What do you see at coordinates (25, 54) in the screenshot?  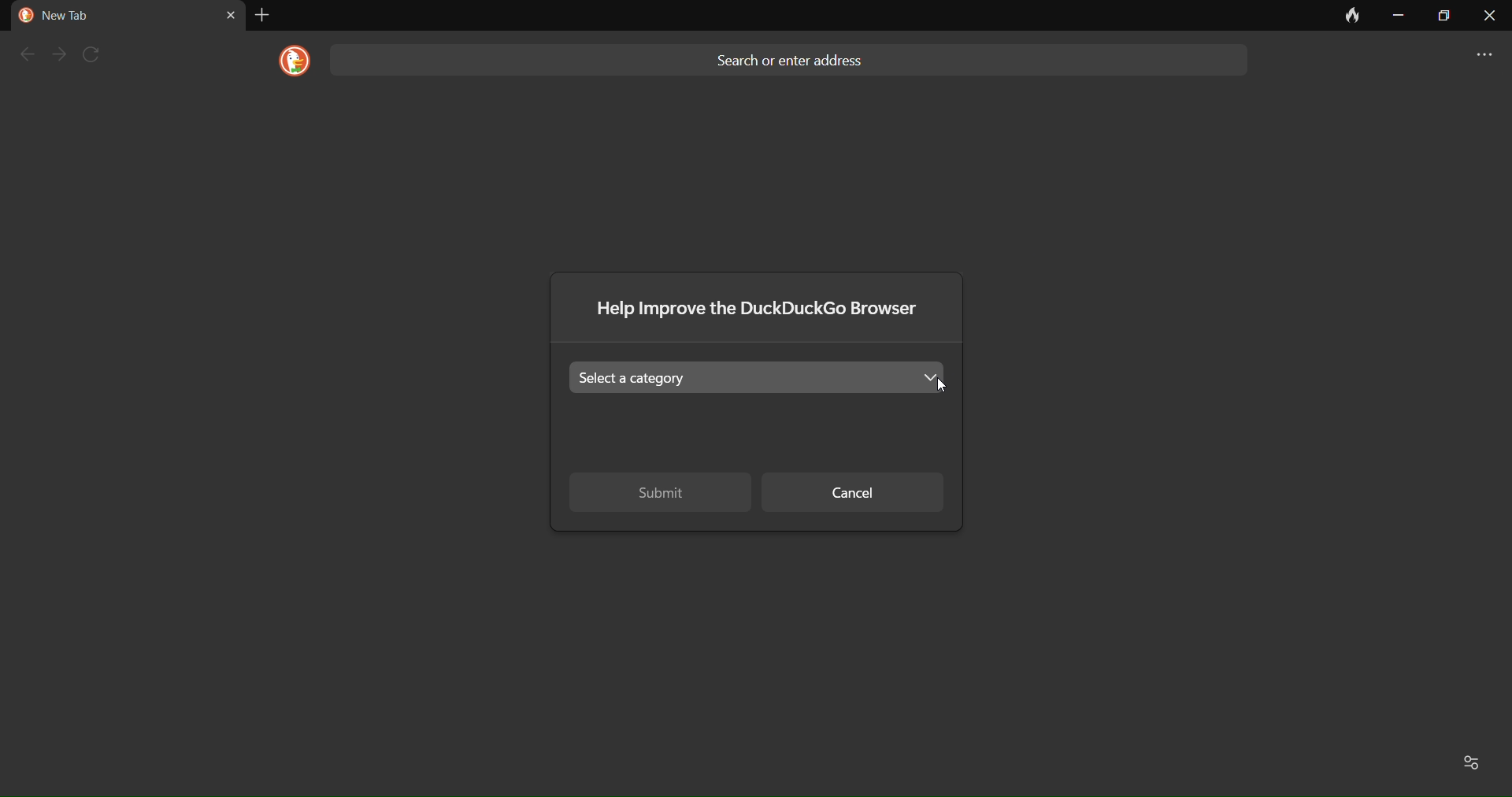 I see `back` at bounding box center [25, 54].